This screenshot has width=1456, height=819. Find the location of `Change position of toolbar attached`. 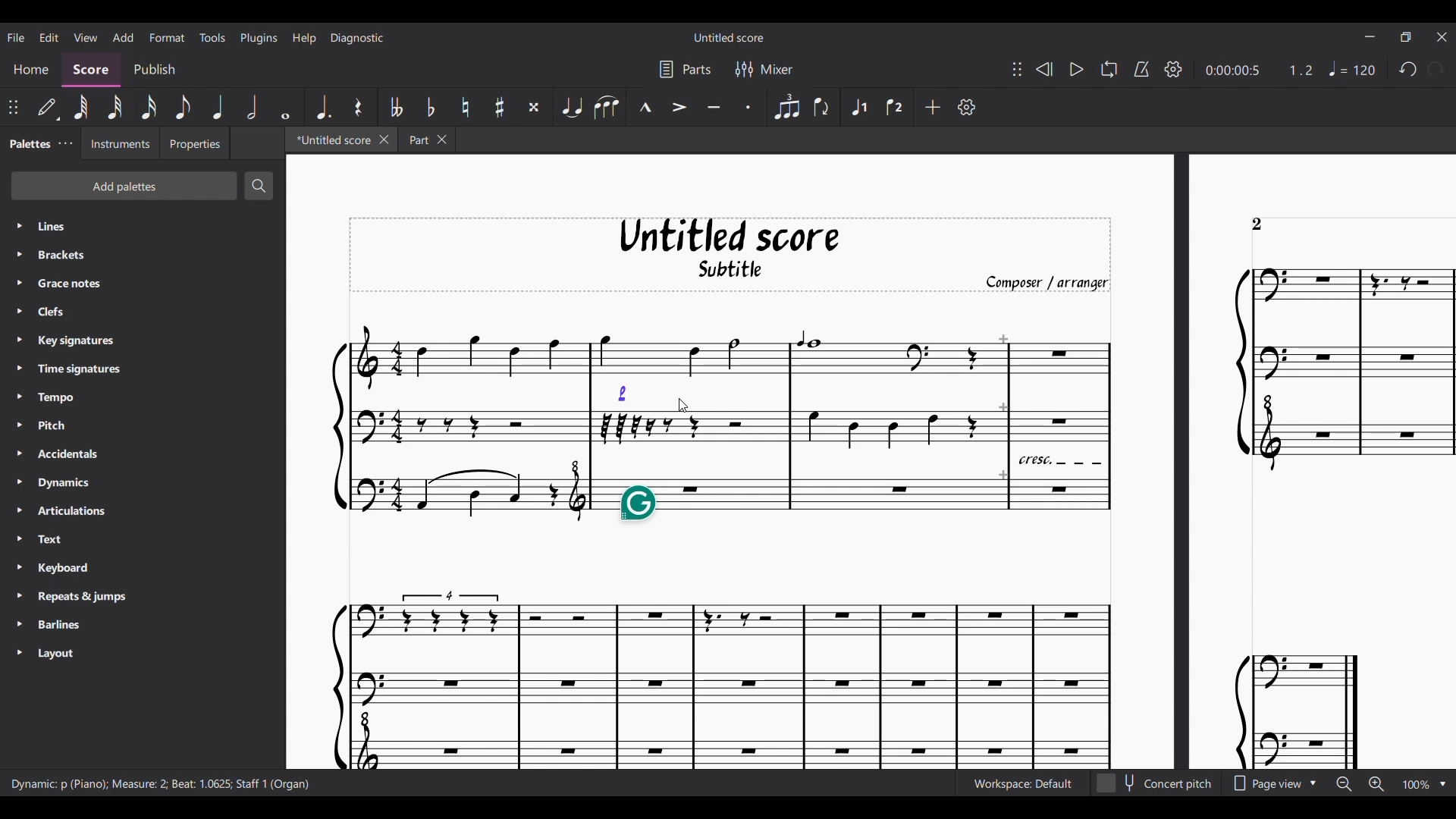

Change position of toolbar attached is located at coordinates (13, 107).